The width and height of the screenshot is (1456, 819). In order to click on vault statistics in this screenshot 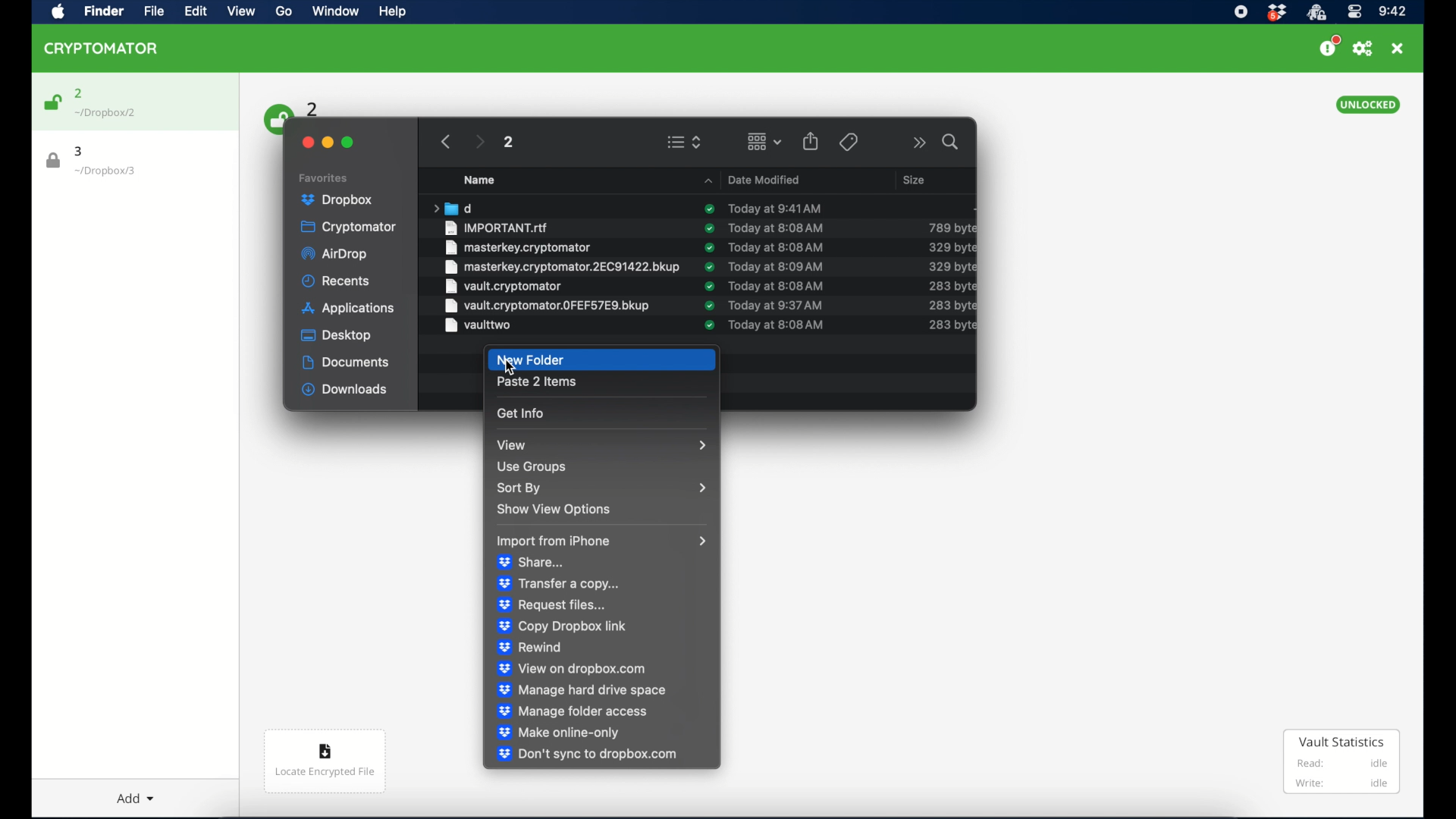, I will do `click(1342, 763)`.